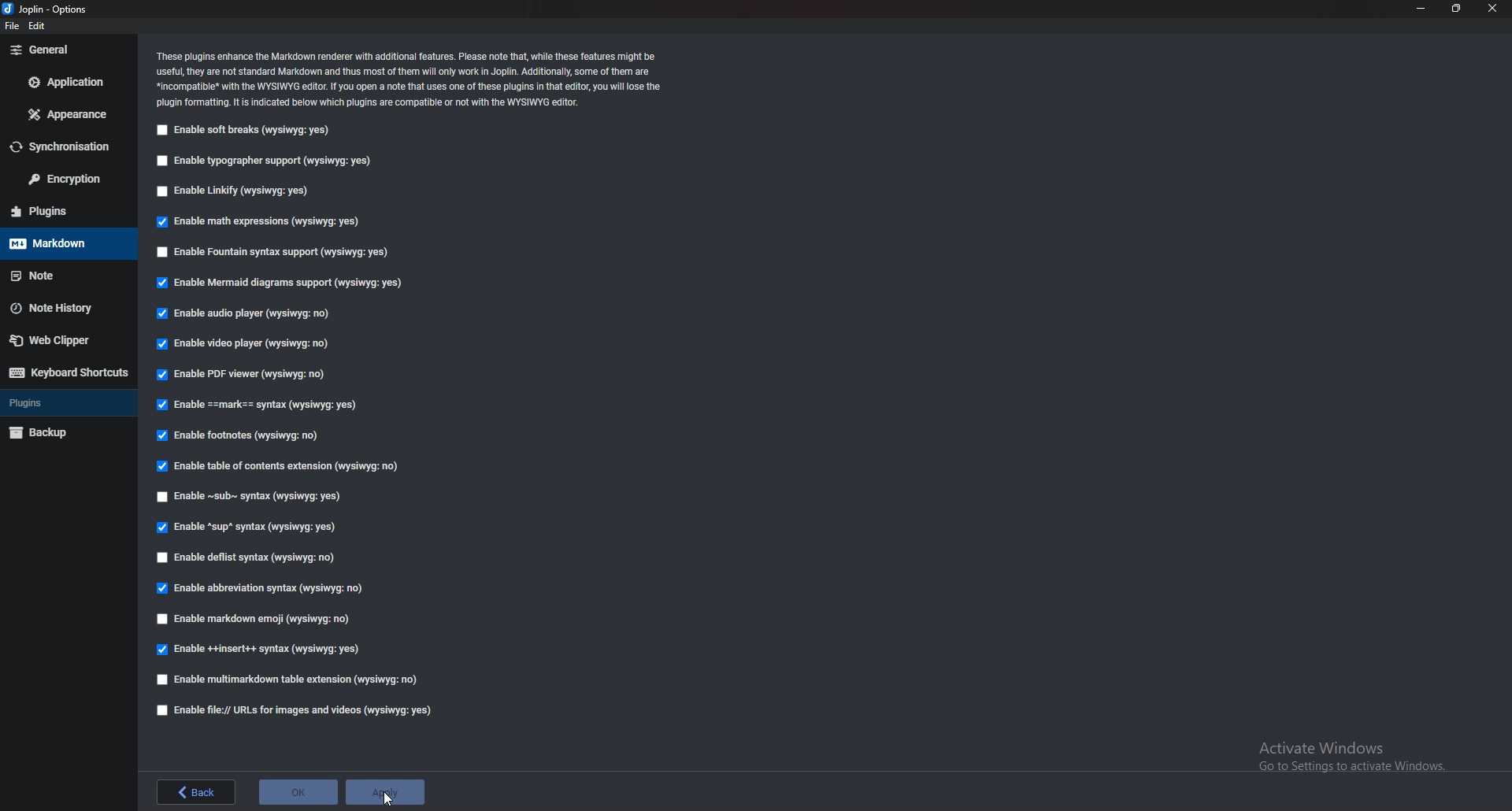  What do you see at coordinates (295, 709) in the screenshot?
I see `enable file urls for images and videos` at bounding box center [295, 709].